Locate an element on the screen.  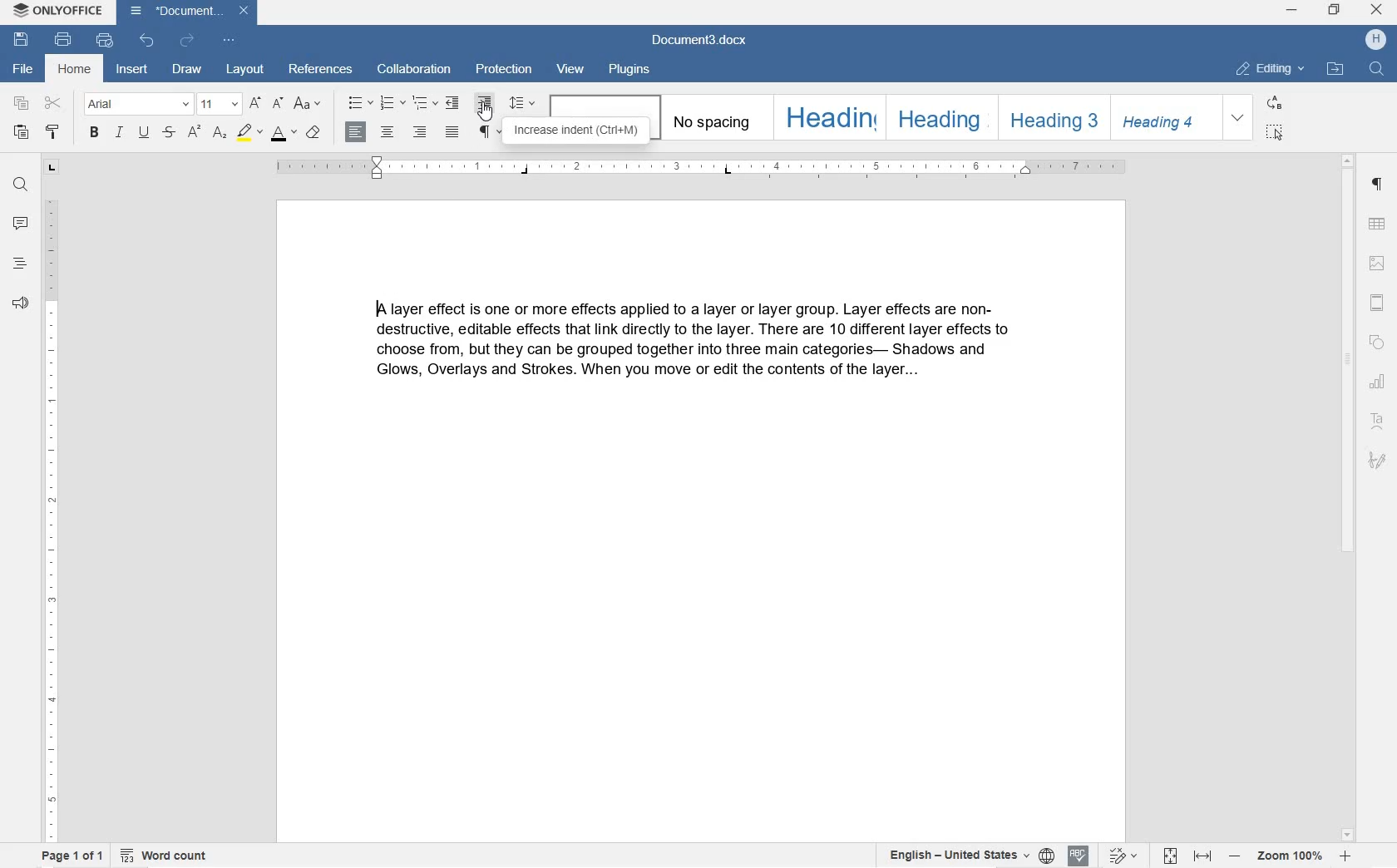
DECREMENT FONT SIZE is located at coordinates (278, 102).